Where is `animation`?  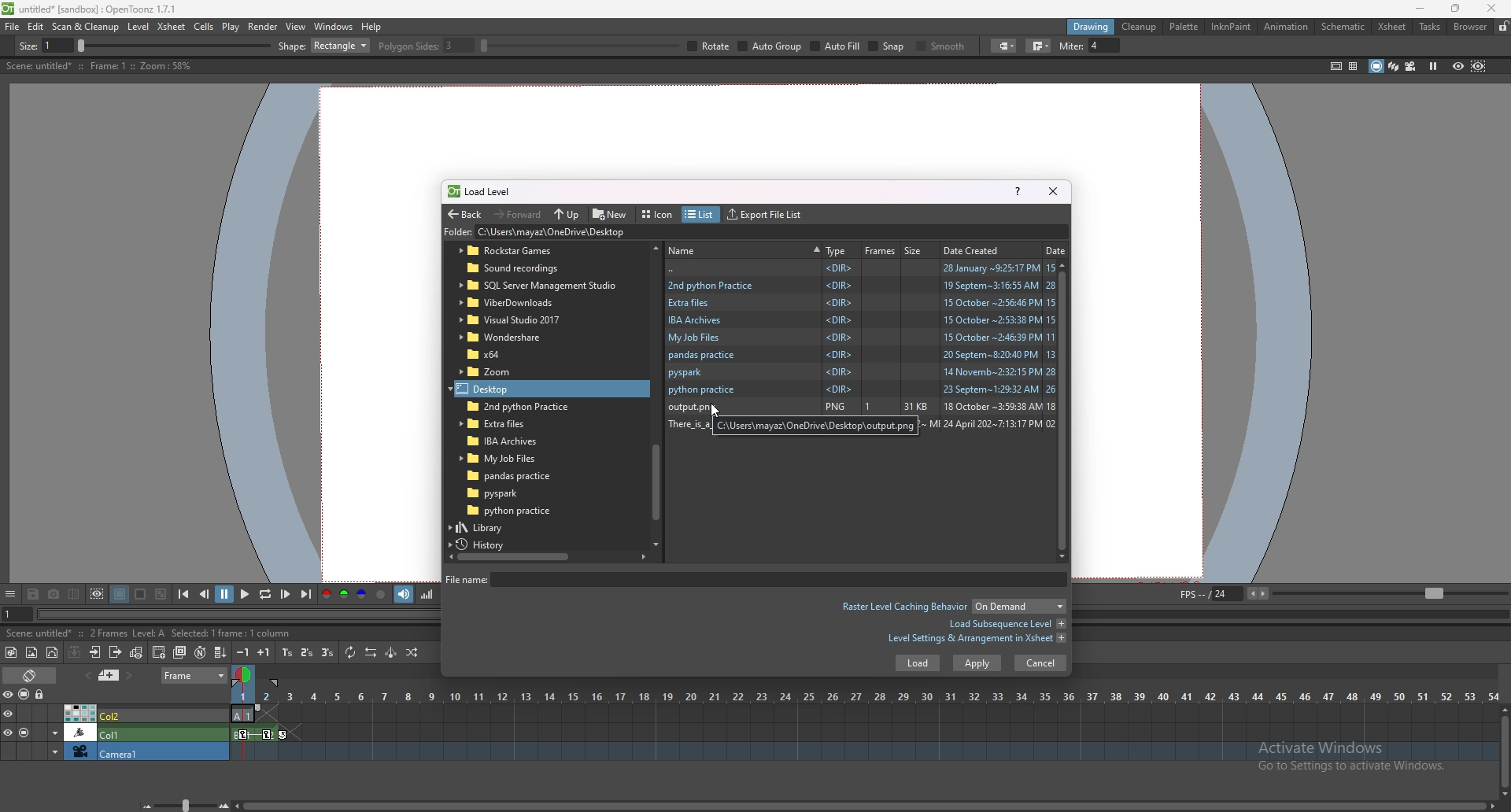
animation is located at coordinates (1287, 27).